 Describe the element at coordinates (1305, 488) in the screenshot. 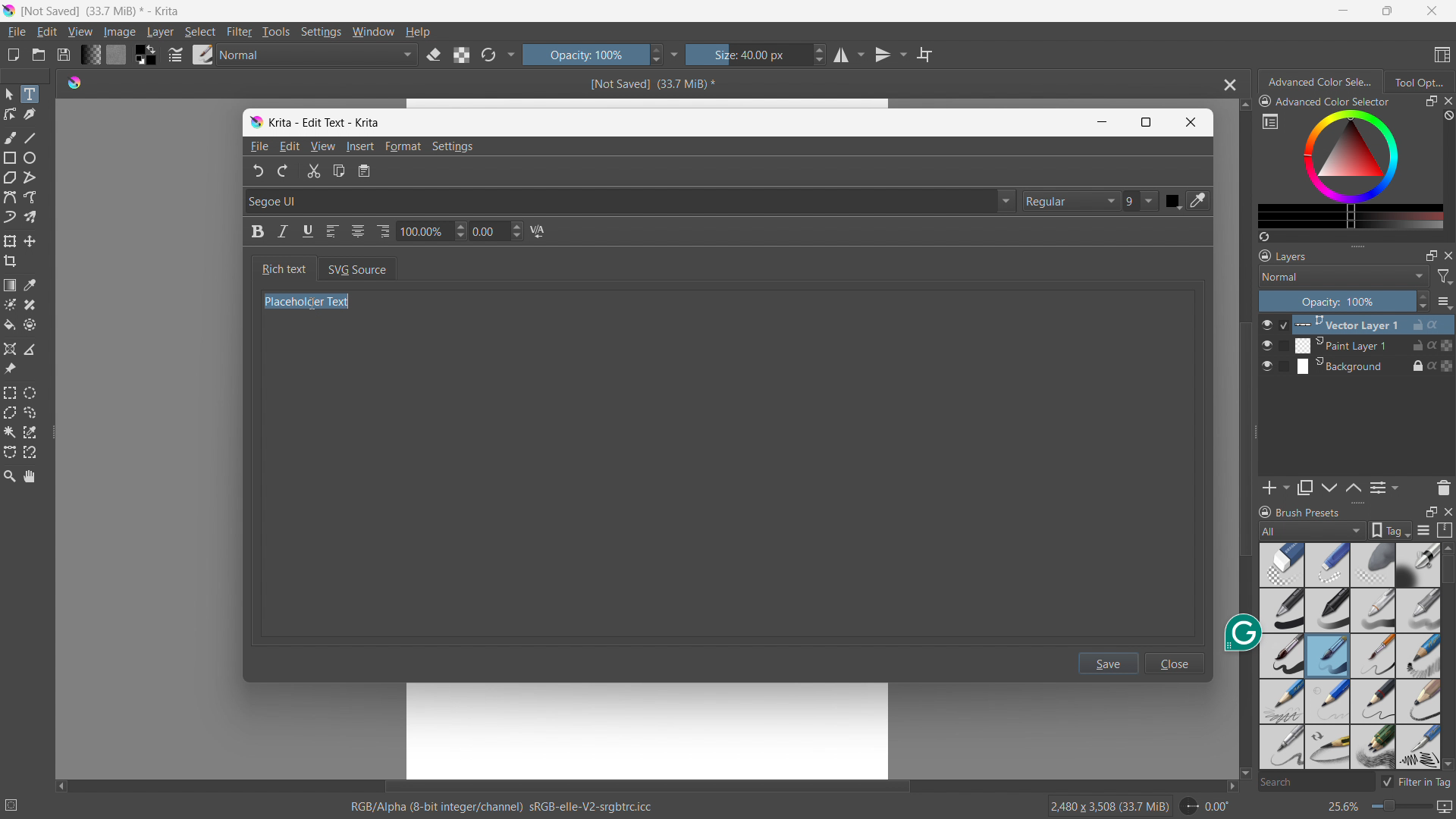

I see `duplicate layer` at that location.